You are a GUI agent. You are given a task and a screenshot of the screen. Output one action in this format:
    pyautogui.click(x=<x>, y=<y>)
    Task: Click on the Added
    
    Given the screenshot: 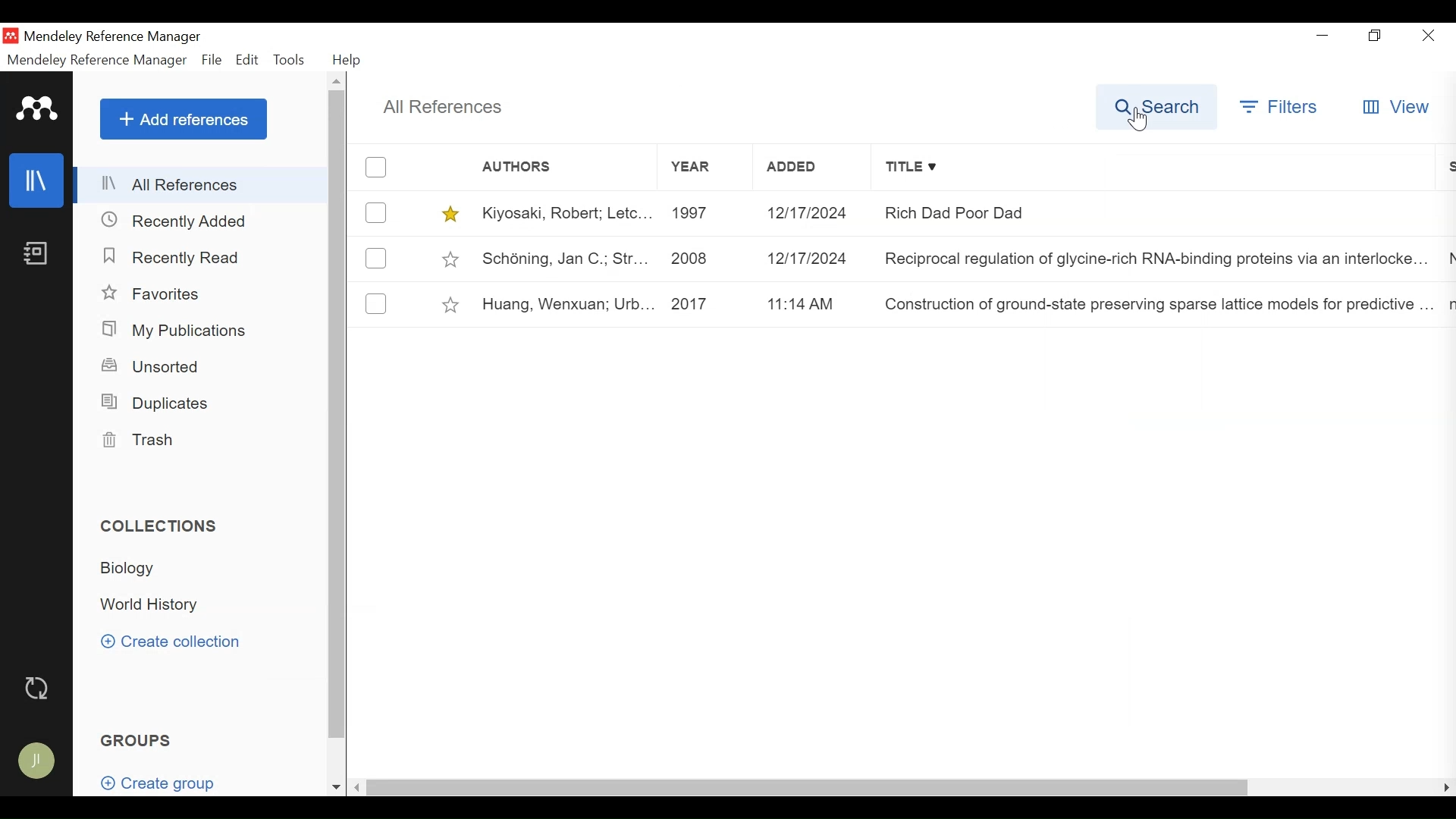 What is the action you would take?
    pyautogui.click(x=812, y=168)
    